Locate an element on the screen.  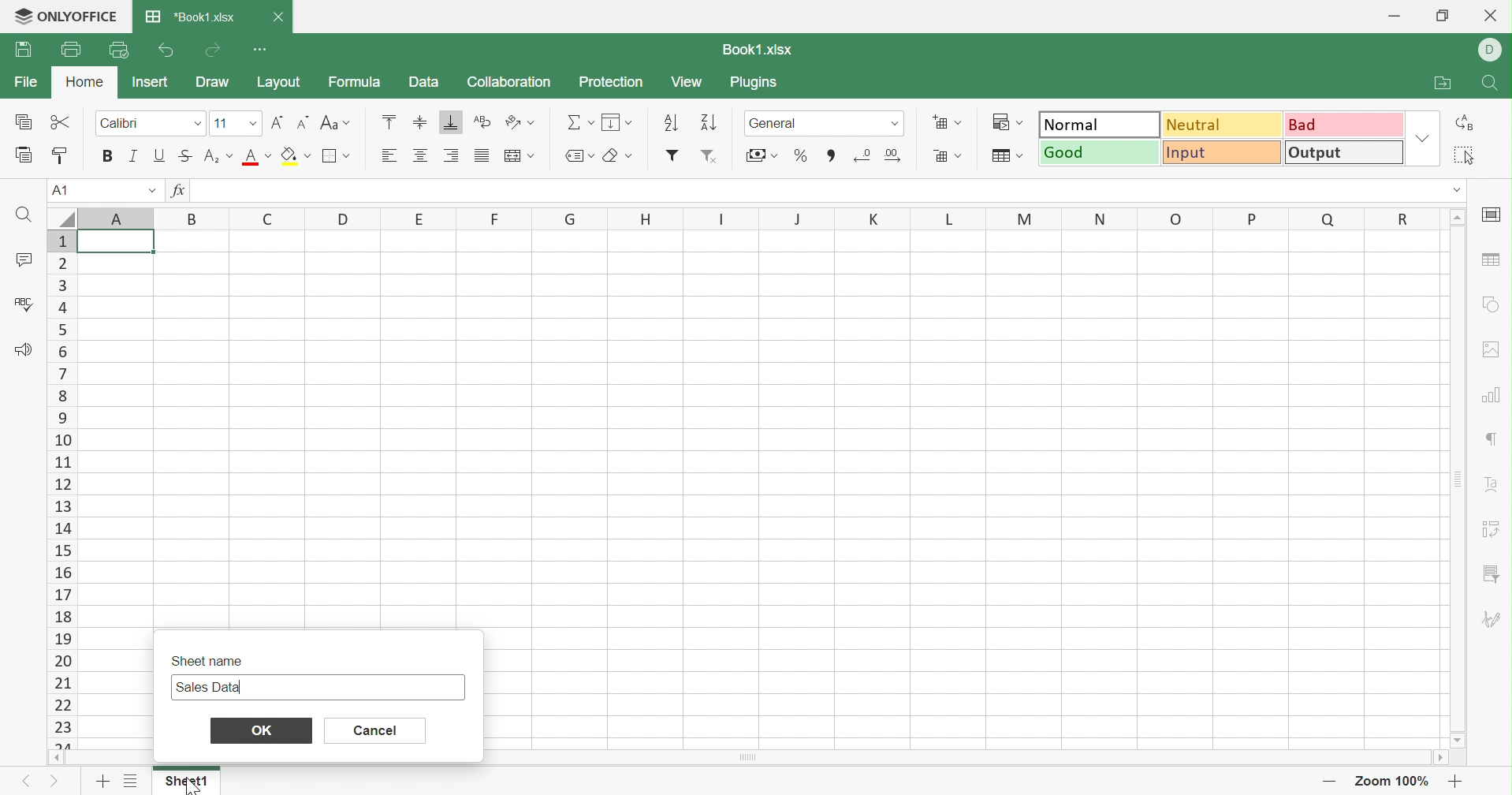
View is located at coordinates (687, 81).